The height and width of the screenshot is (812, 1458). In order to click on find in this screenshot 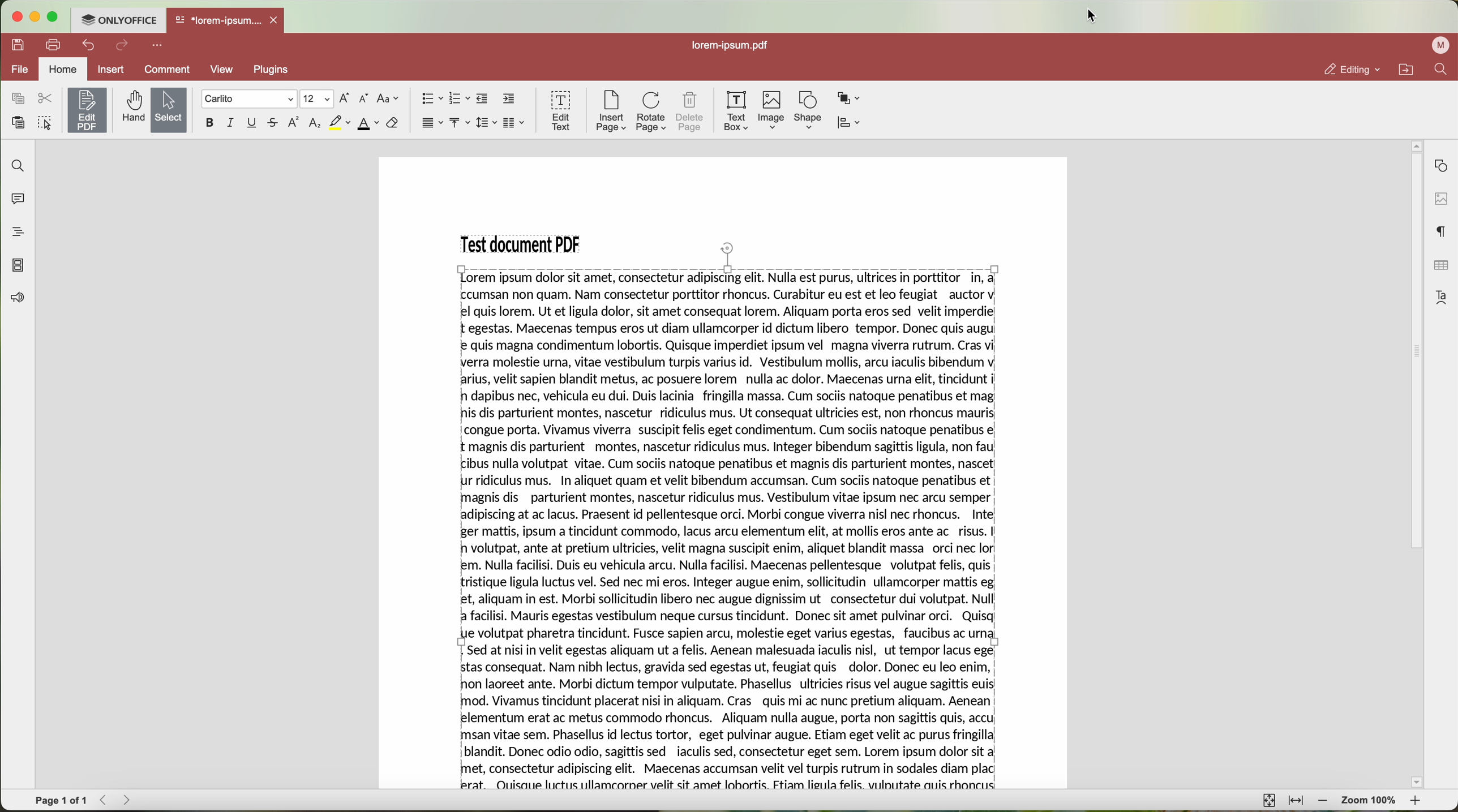, I will do `click(1442, 71)`.